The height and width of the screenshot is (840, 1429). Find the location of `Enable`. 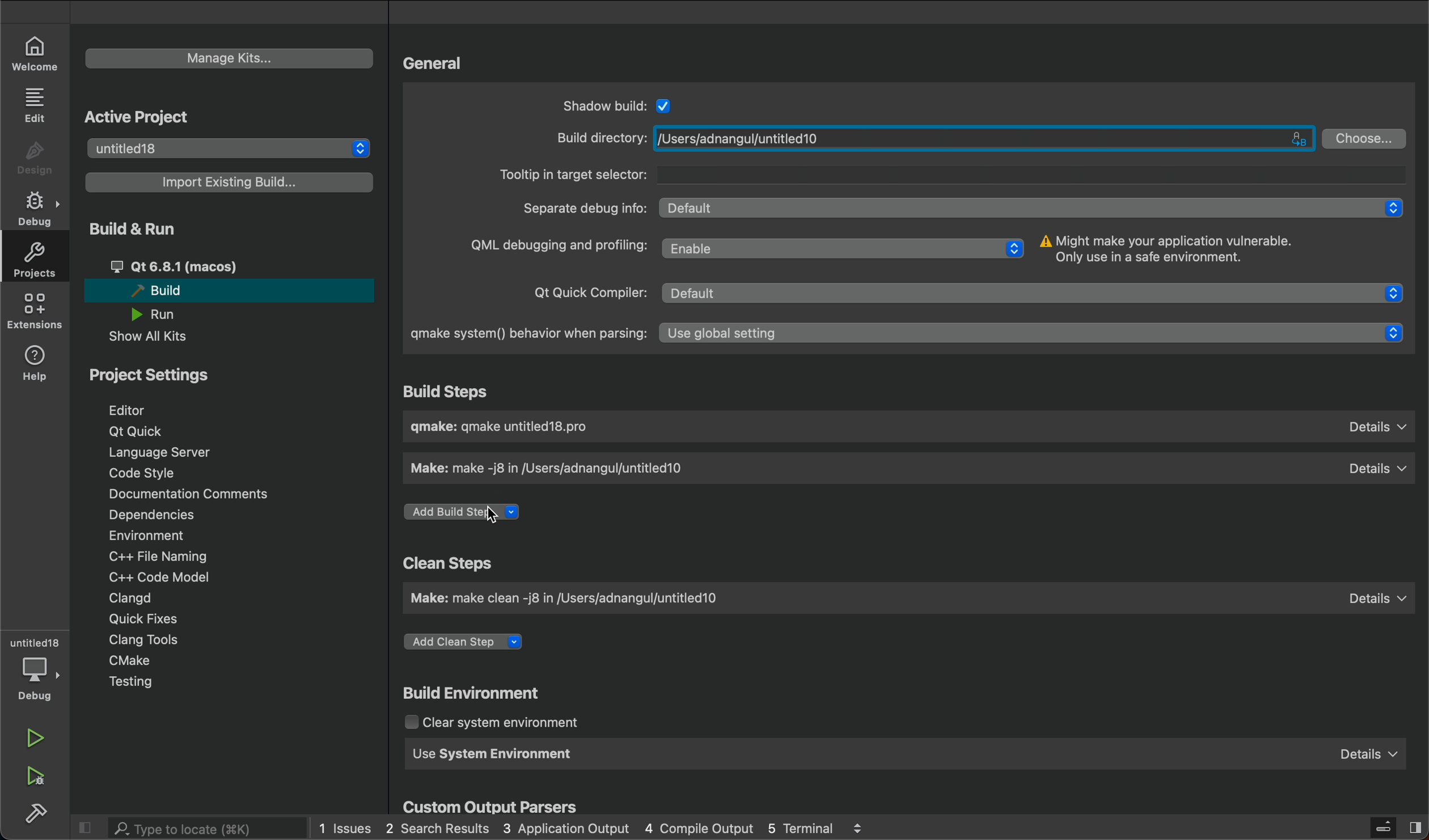

Enable is located at coordinates (843, 248).